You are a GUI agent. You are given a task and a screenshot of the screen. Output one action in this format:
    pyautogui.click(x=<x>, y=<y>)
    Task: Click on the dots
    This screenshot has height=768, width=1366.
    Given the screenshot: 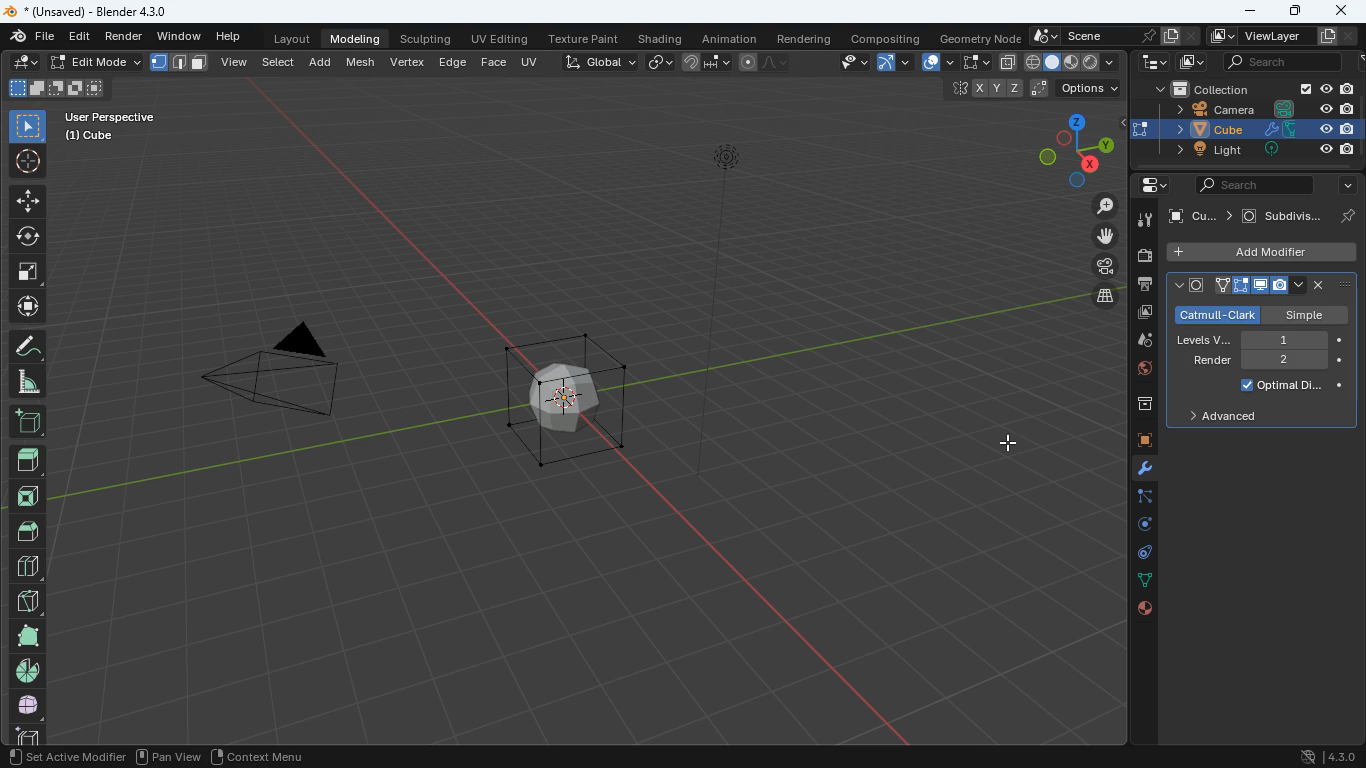 What is the action you would take?
    pyautogui.click(x=1140, y=581)
    